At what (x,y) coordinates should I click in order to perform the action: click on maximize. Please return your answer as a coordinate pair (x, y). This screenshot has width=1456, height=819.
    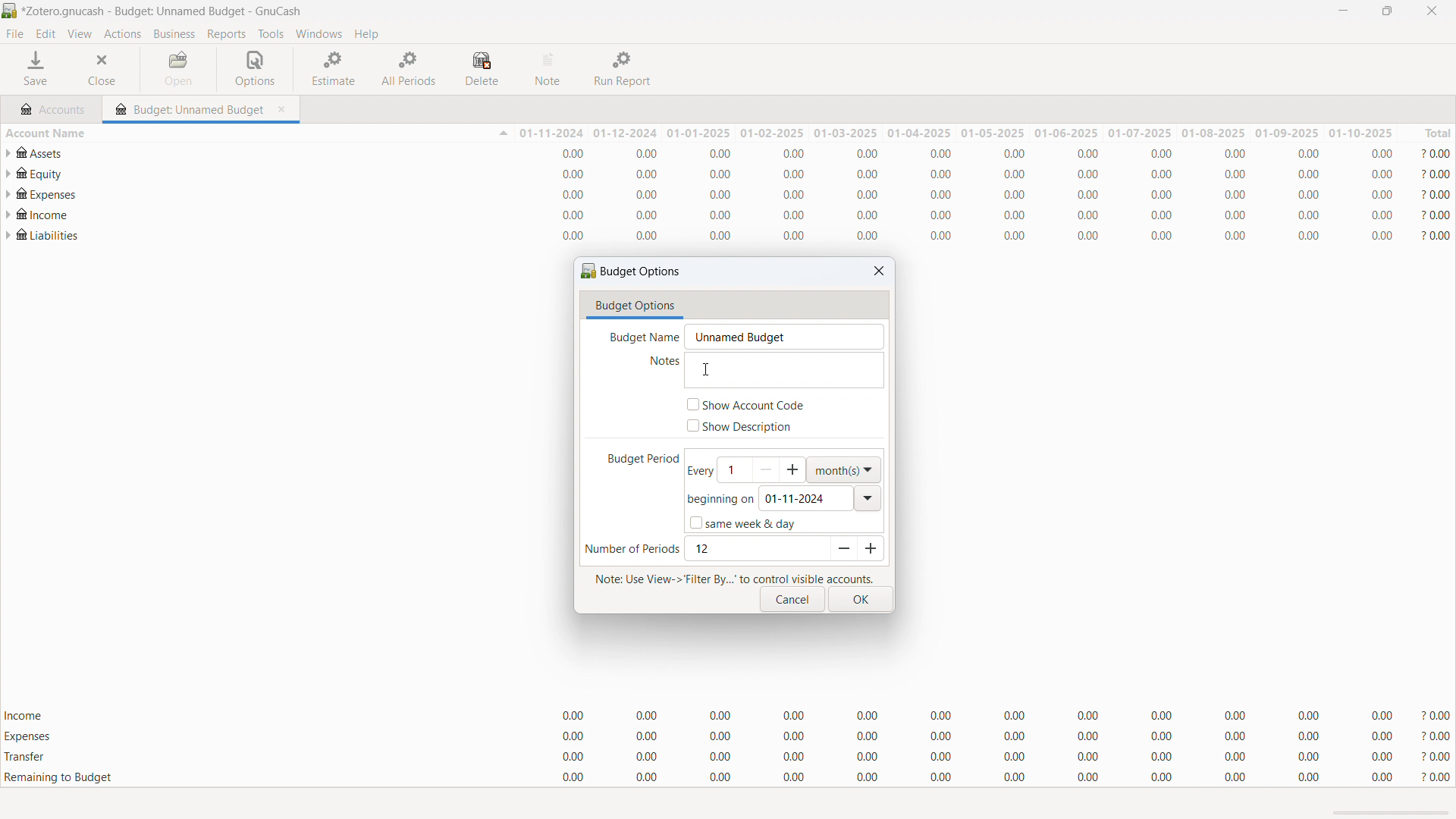
    Looking at the image, I should click on (1386, 11).